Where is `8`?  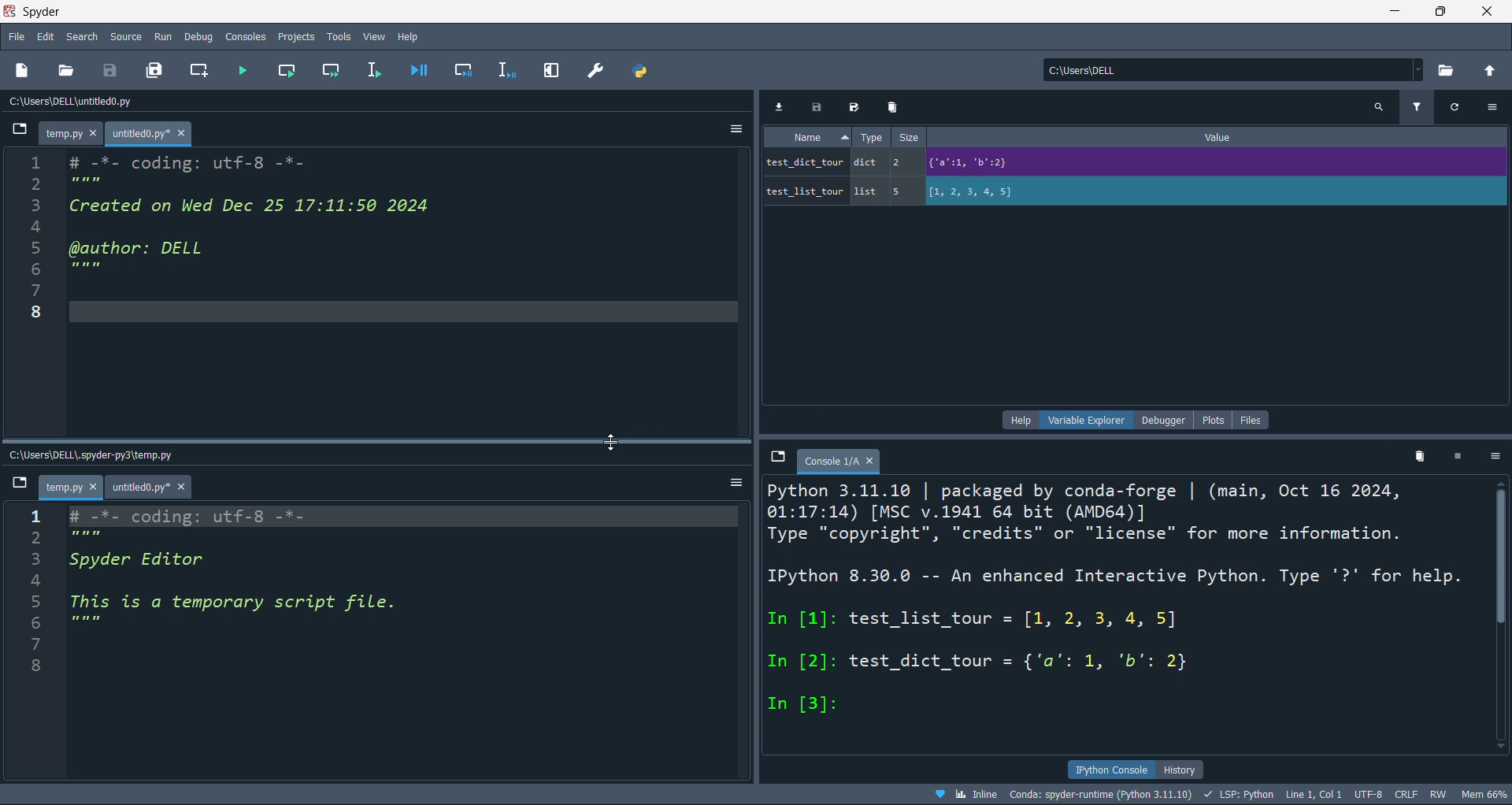
8 is located at coordinates (36, 666).